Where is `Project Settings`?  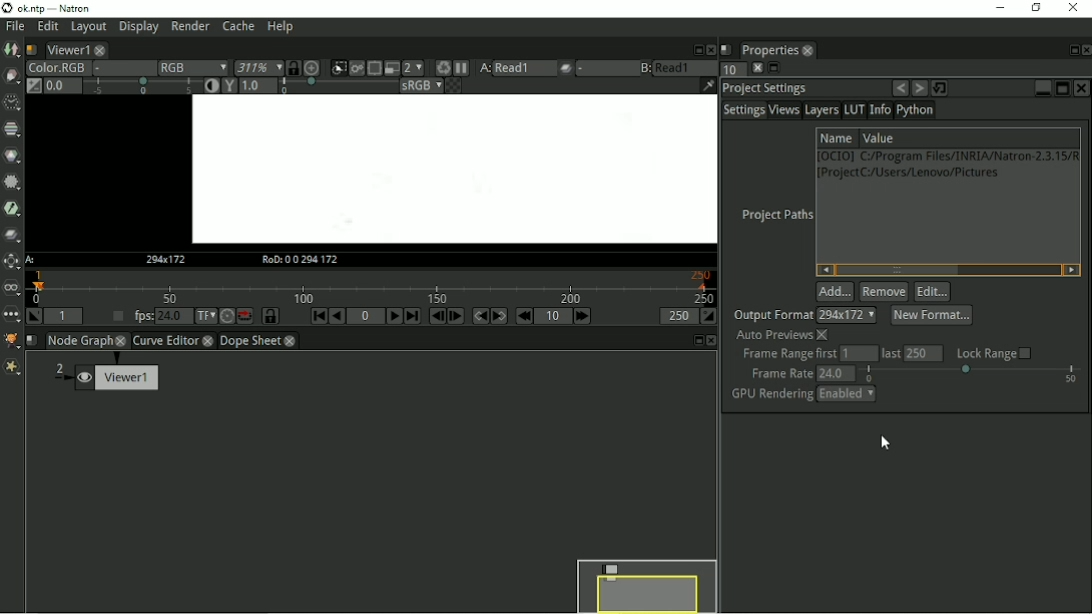 Project Settings is located at coordinates (764, 89).